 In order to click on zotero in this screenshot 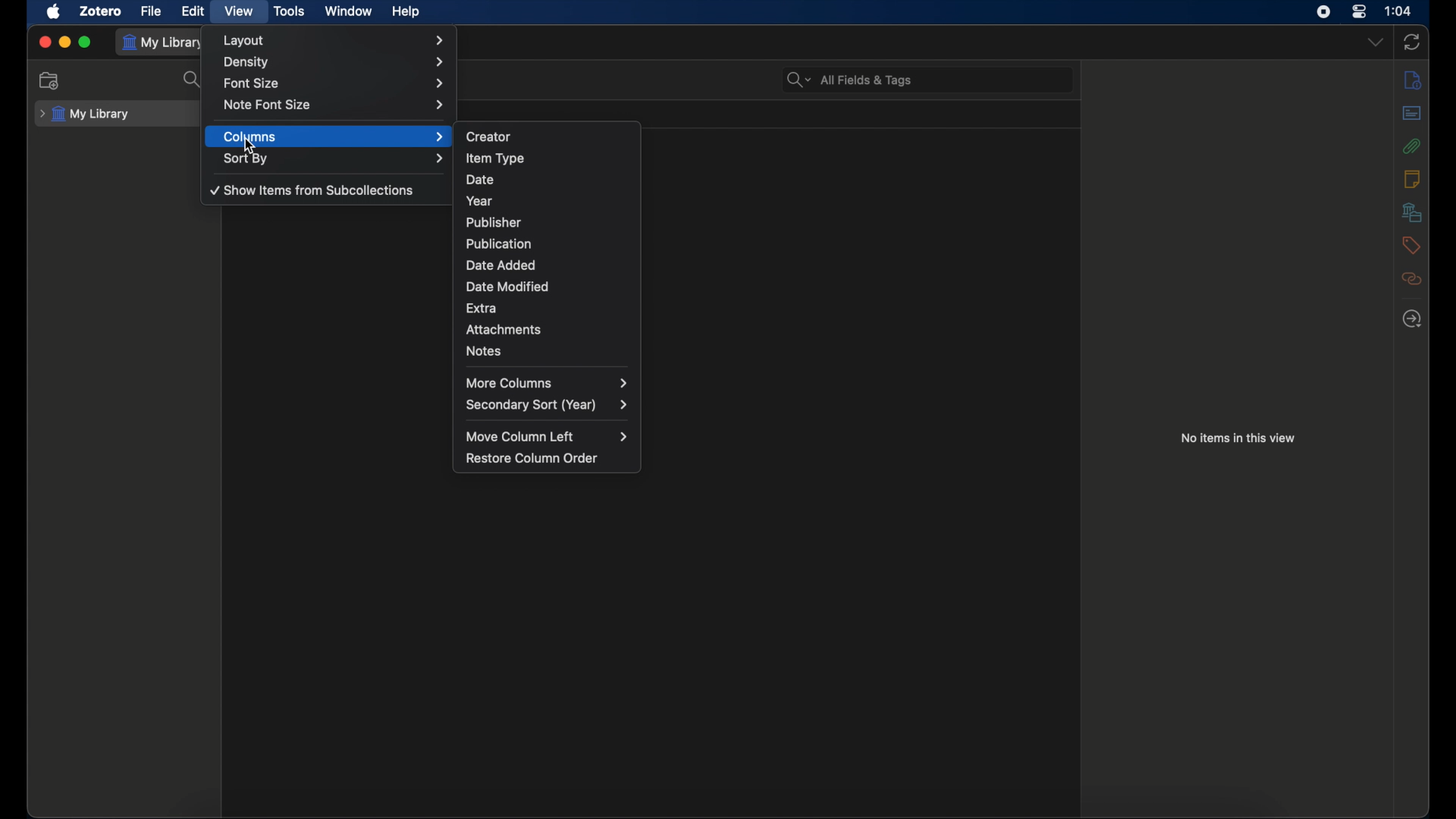, I will do `click(102, 12)`.